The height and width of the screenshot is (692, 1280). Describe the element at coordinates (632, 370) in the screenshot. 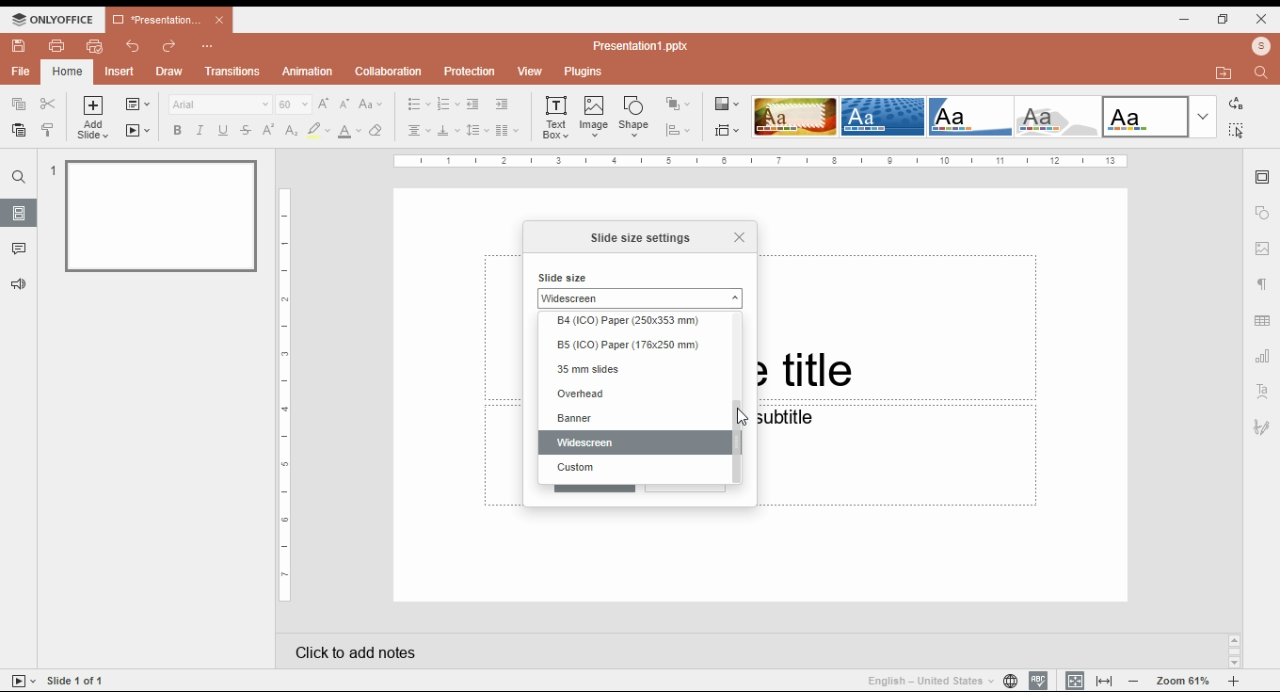

I see `35 mm sides` at that location.